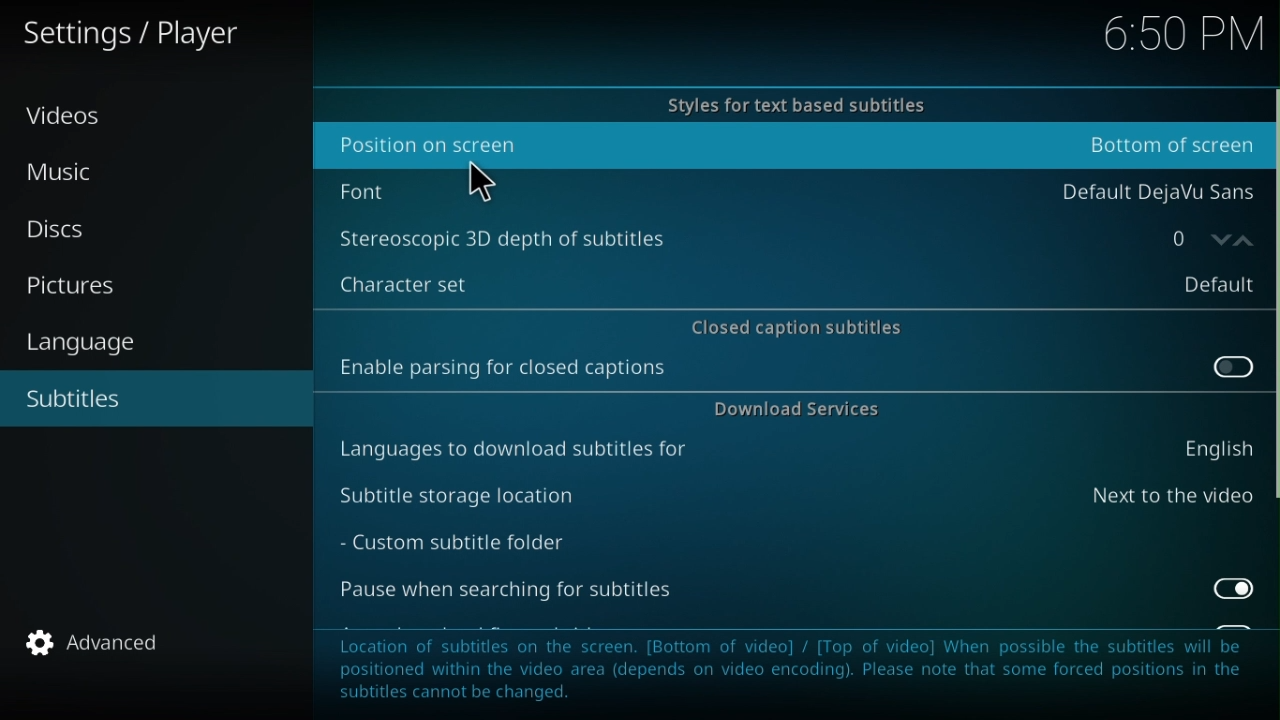 The width and height of the screenshot is (1280, 720). I want to click on Music, so click(67, 178).